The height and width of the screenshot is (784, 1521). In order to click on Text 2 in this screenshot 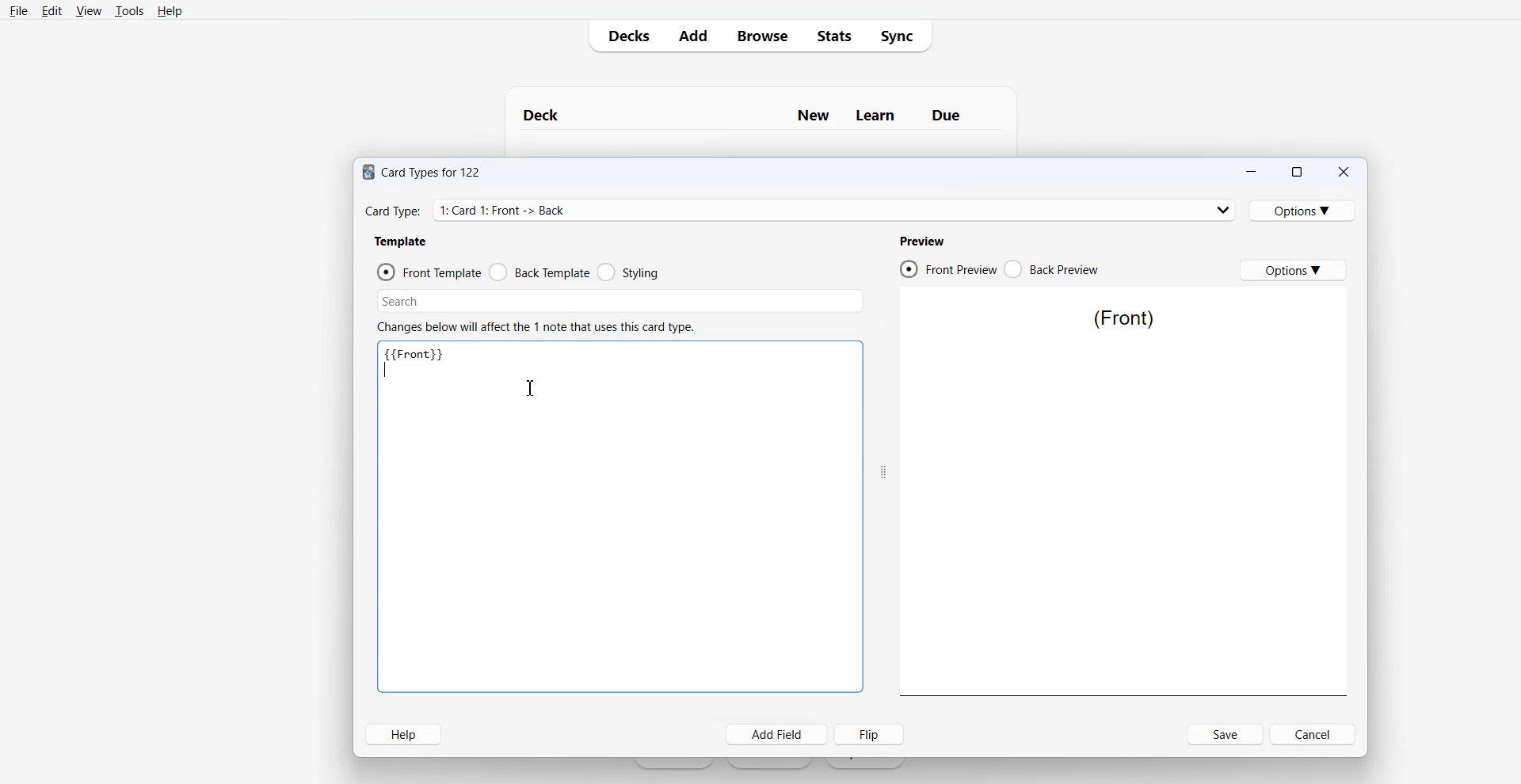, I will do `click(421, 362)`.